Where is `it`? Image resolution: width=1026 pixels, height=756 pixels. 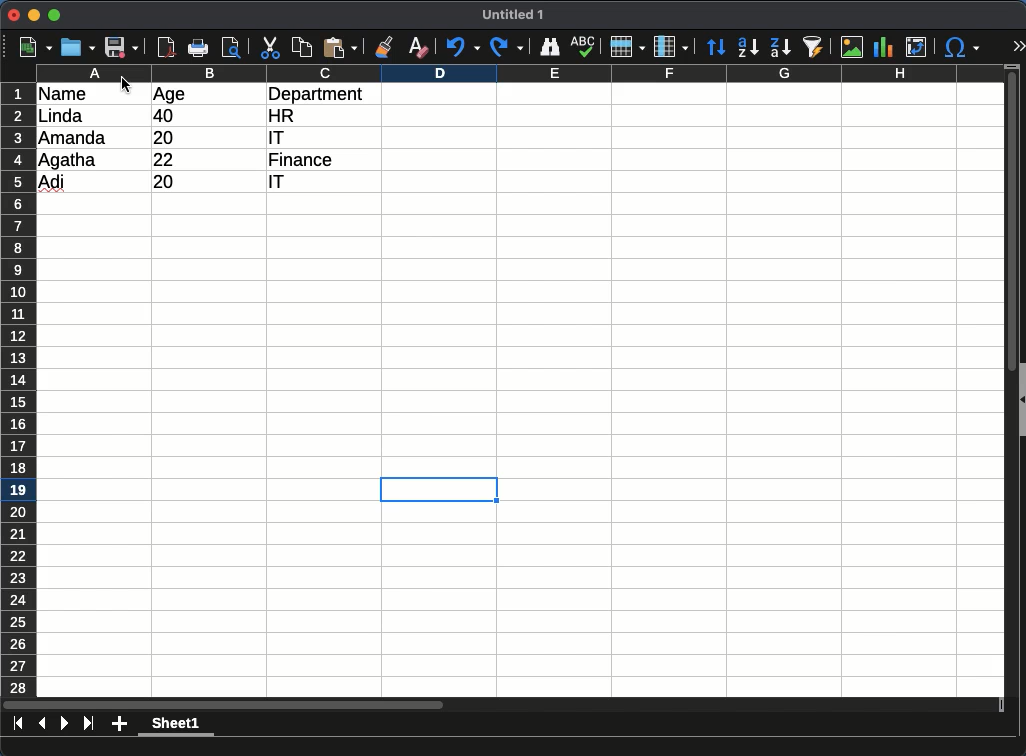 it is located at coordinates (272, 137).